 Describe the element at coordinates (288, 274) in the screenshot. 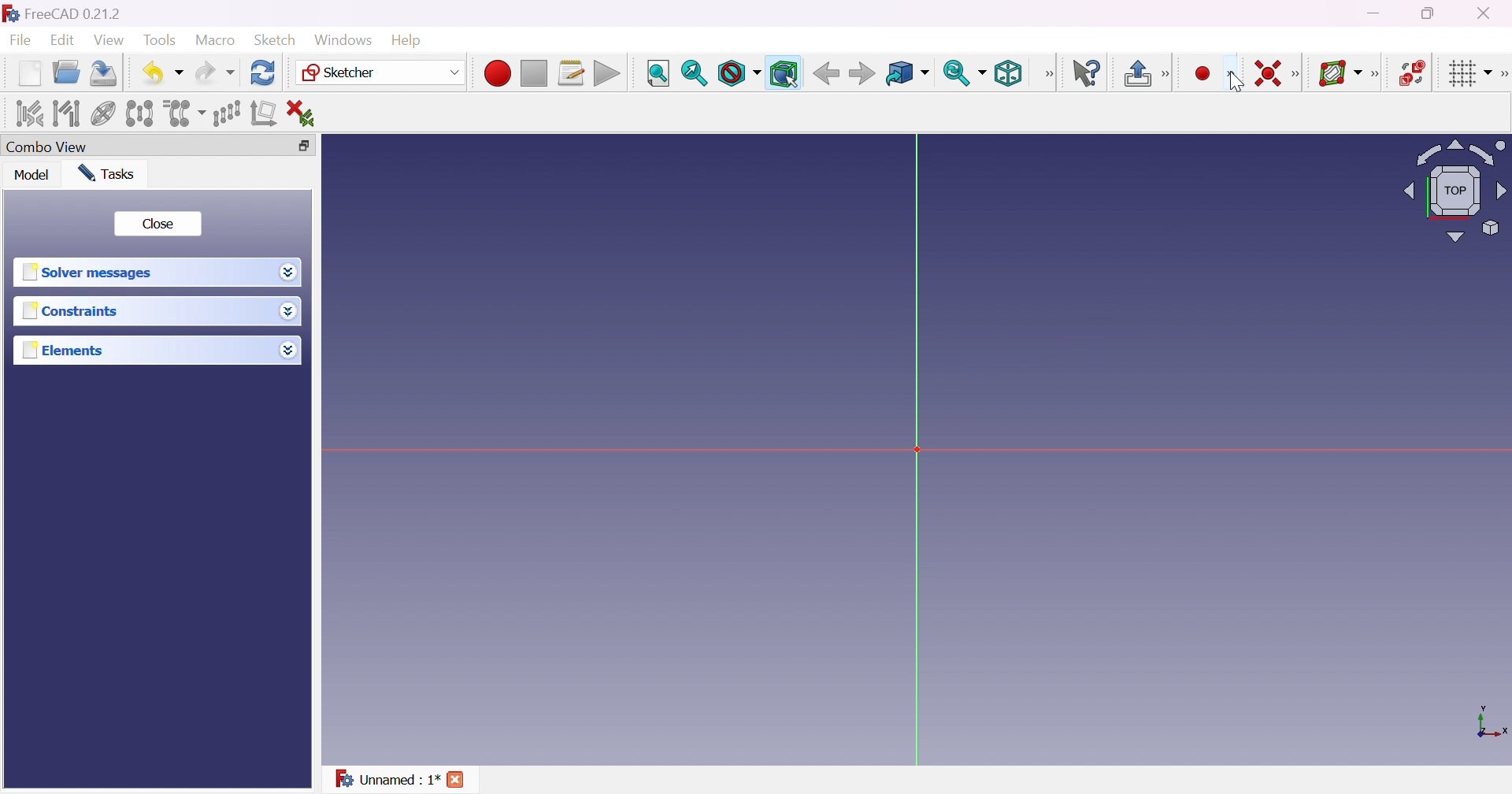

I see `Drop down` at that location.